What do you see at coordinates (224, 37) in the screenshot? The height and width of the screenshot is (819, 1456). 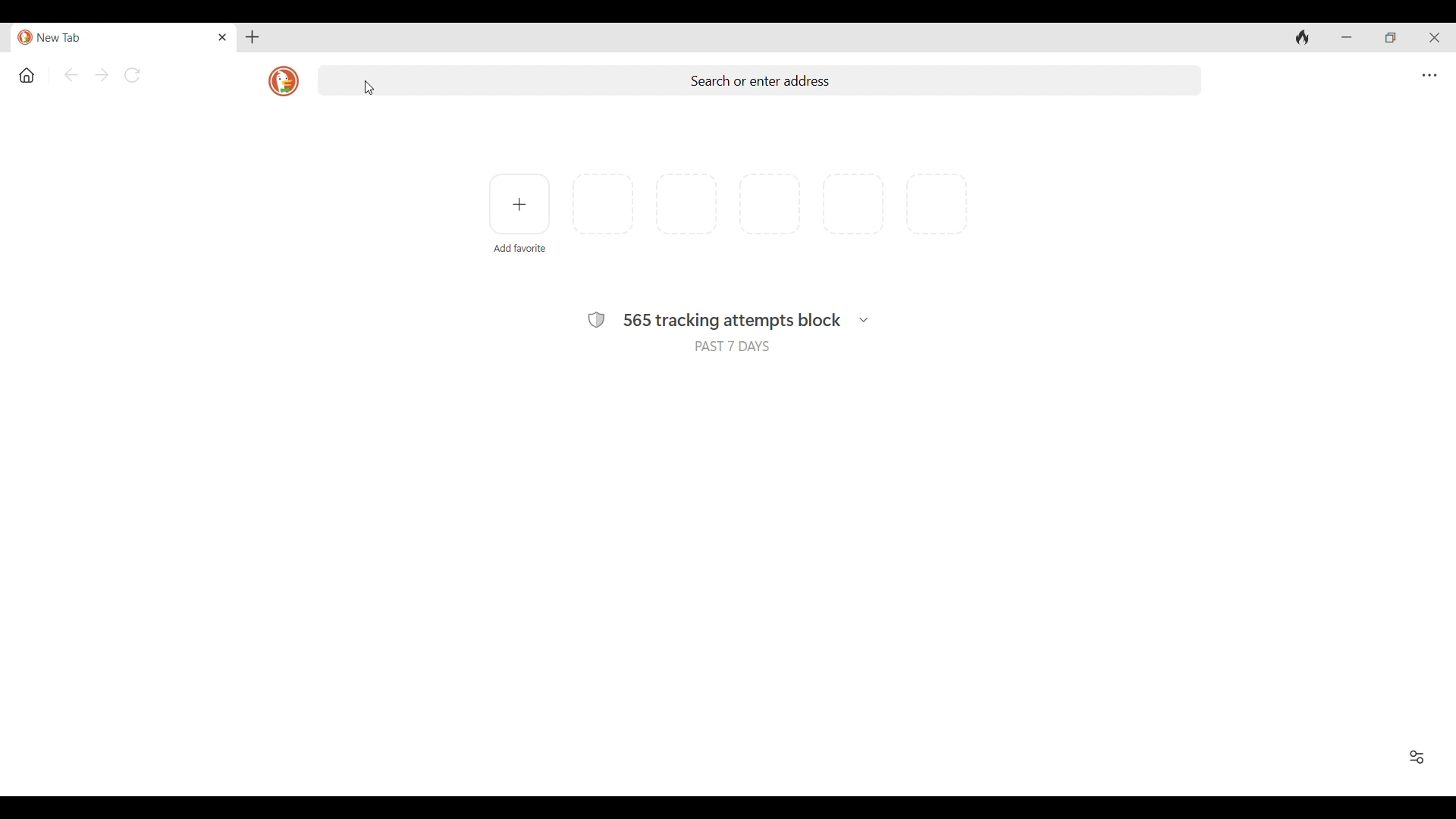 I see `Close tab` at bounding box center [224, 37].